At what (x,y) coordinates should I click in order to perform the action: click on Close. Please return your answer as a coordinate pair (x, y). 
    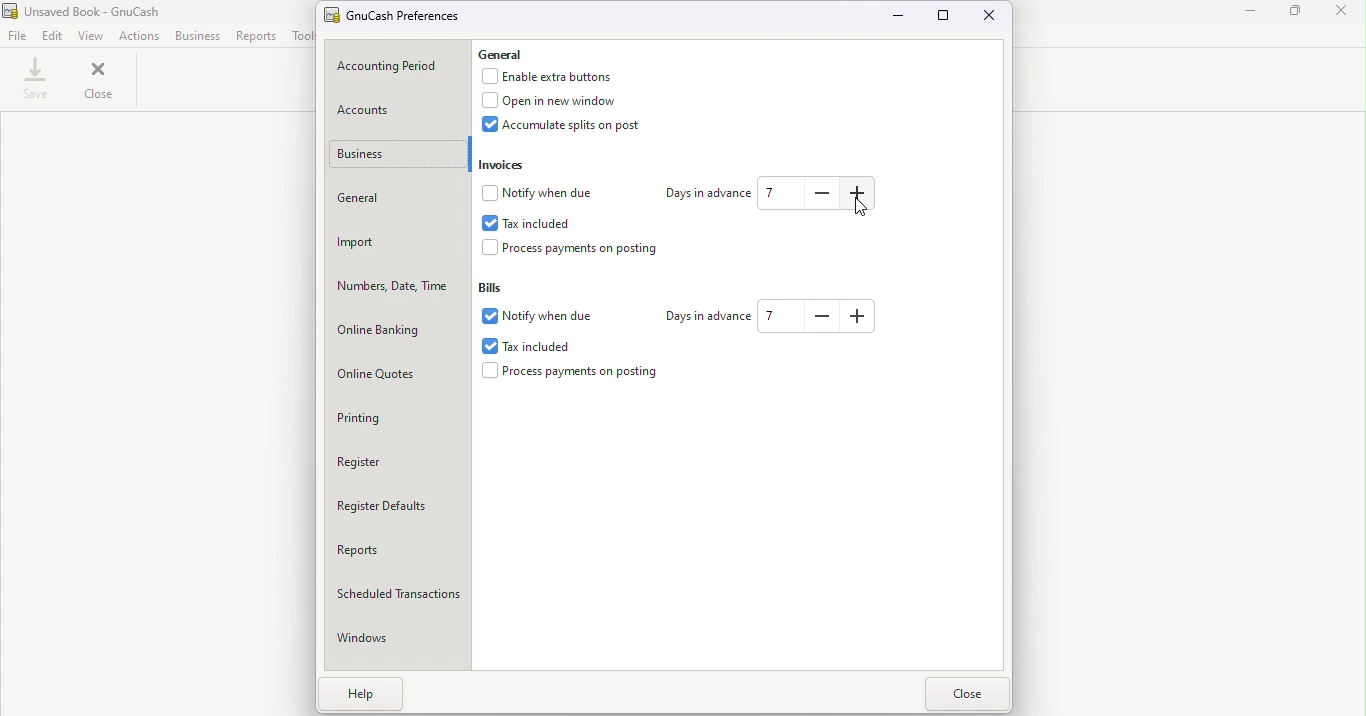
    Looking at the image, I should click on (991, 17).